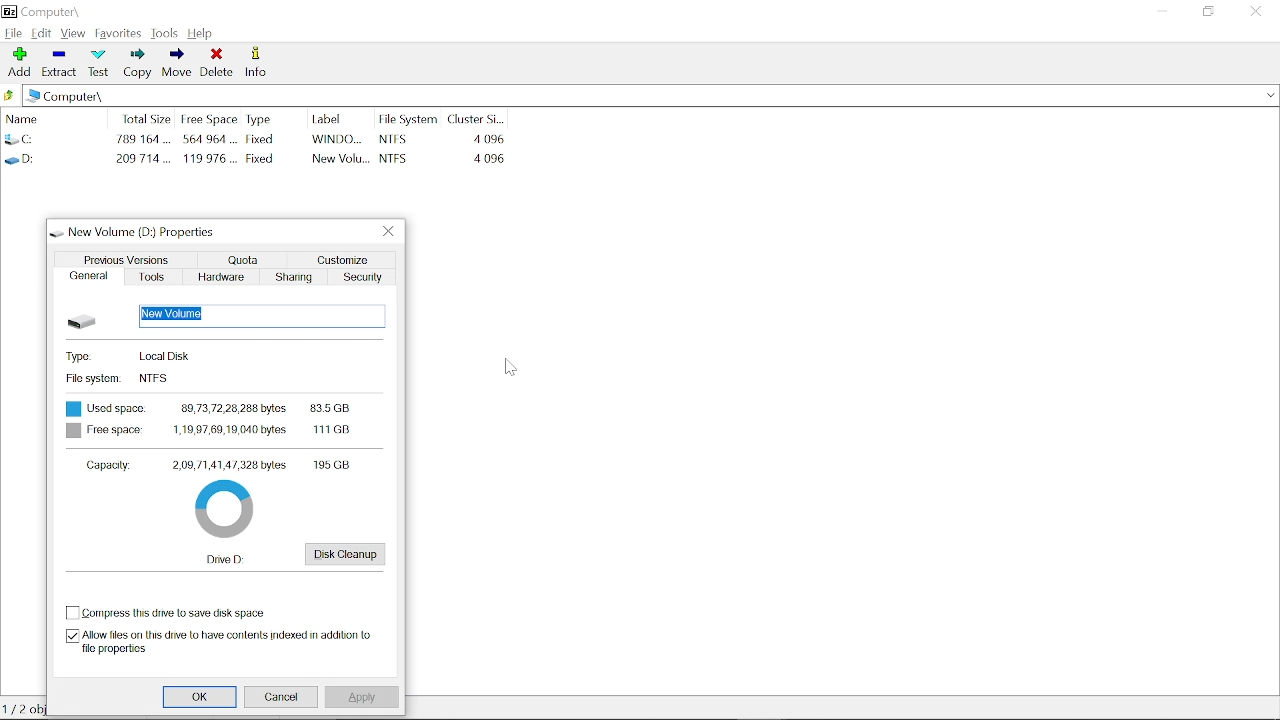  Describe the element at coordinates (14, 32) in the screenshot. I see `file` at that location.